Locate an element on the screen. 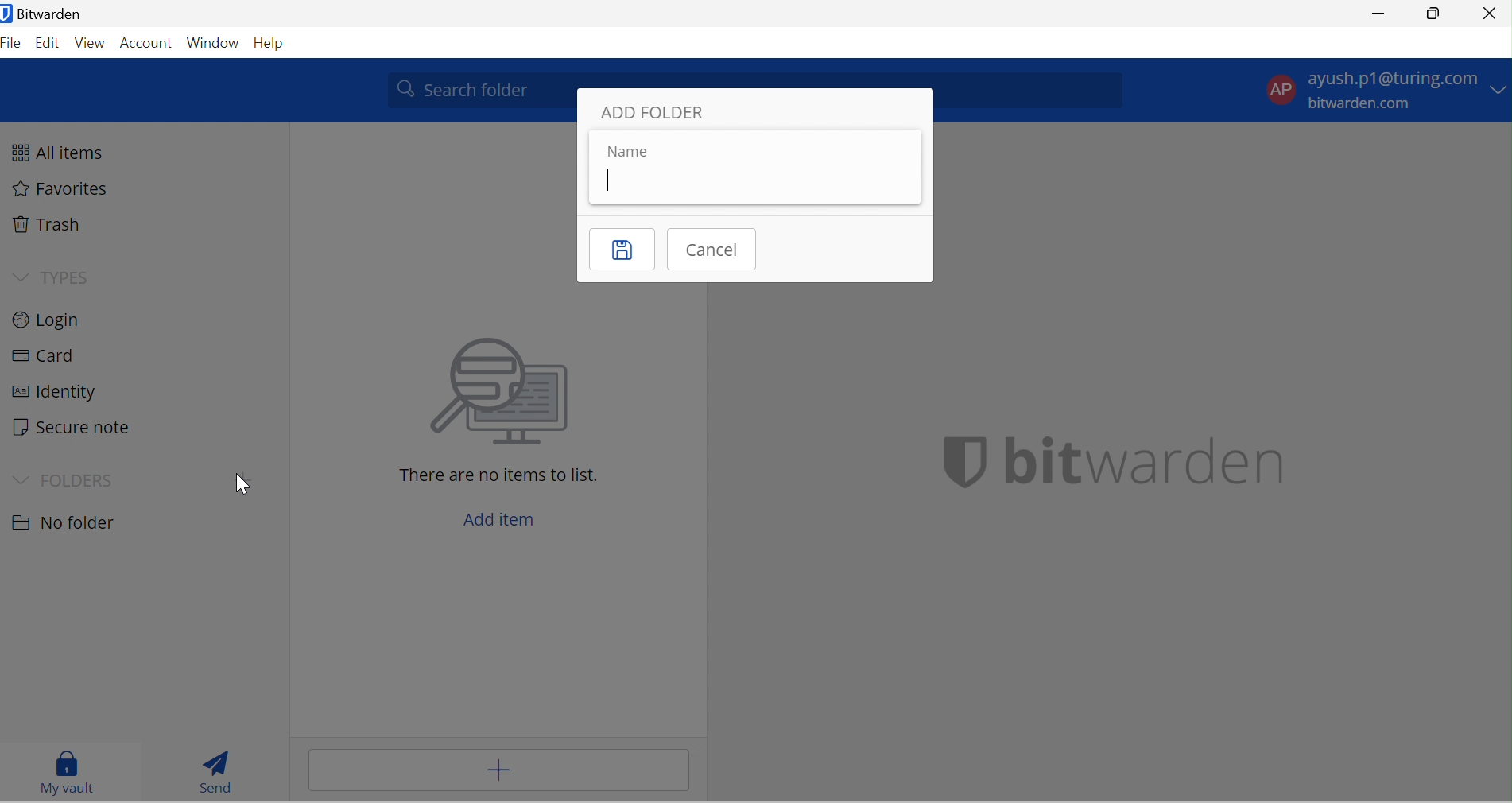  Name is located at coordinates (632, 152).